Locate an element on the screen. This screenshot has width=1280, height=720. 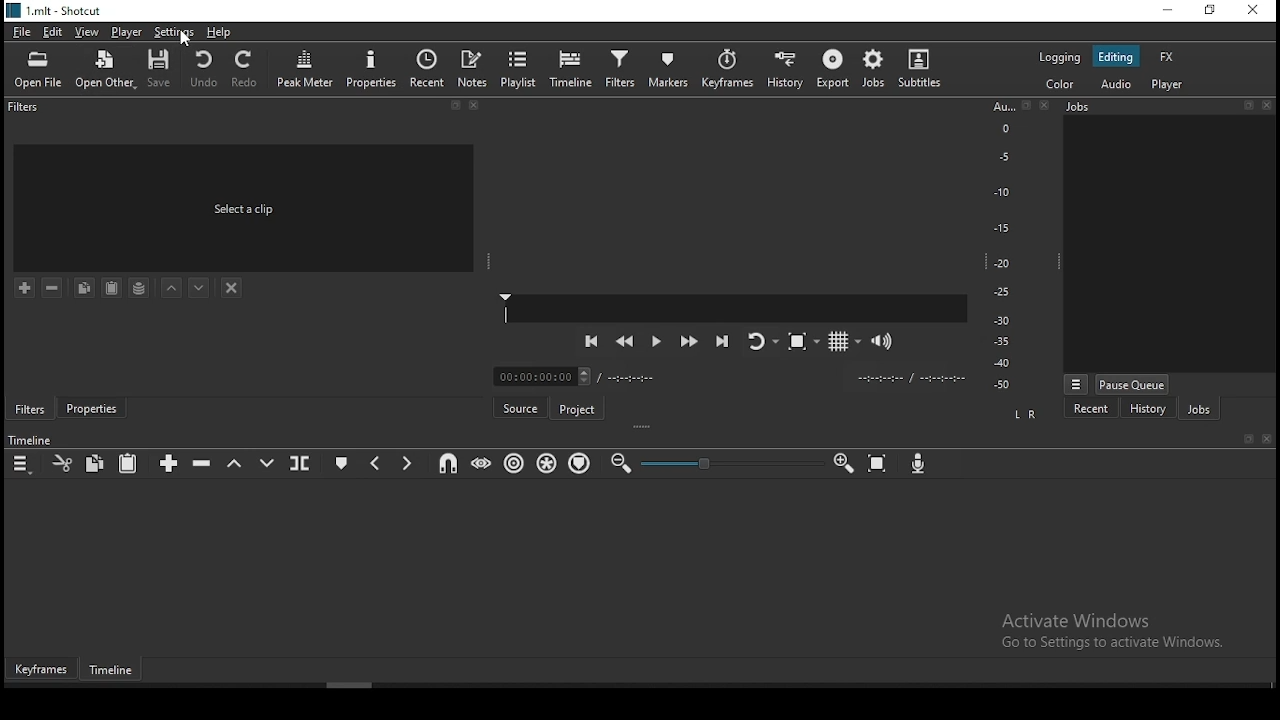
scale is located at coordinates (1002, 247).